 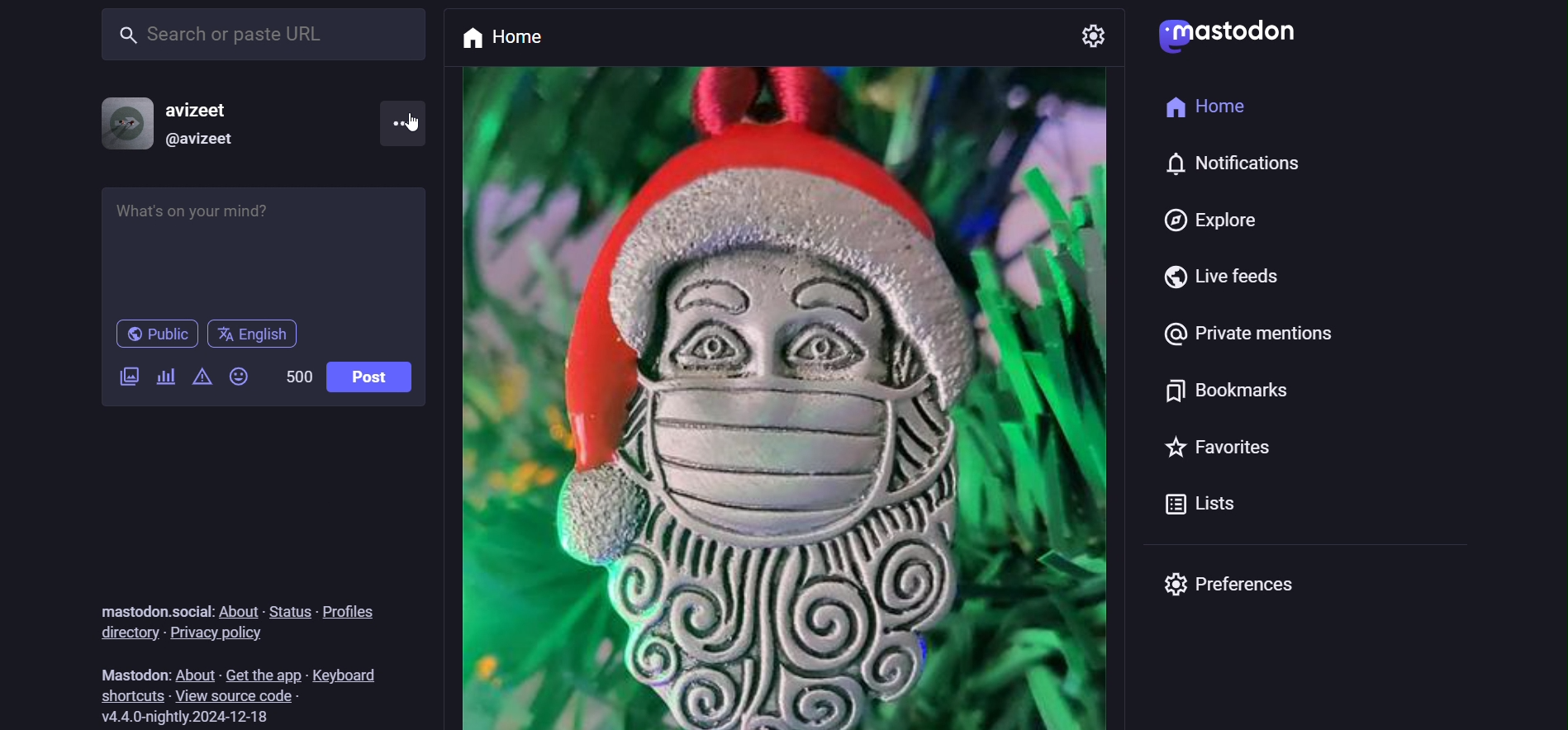 What do you see at coordinates (1224, 34) in the screenshot?
I see `Mastodon` at bounding box center [1224, 34].